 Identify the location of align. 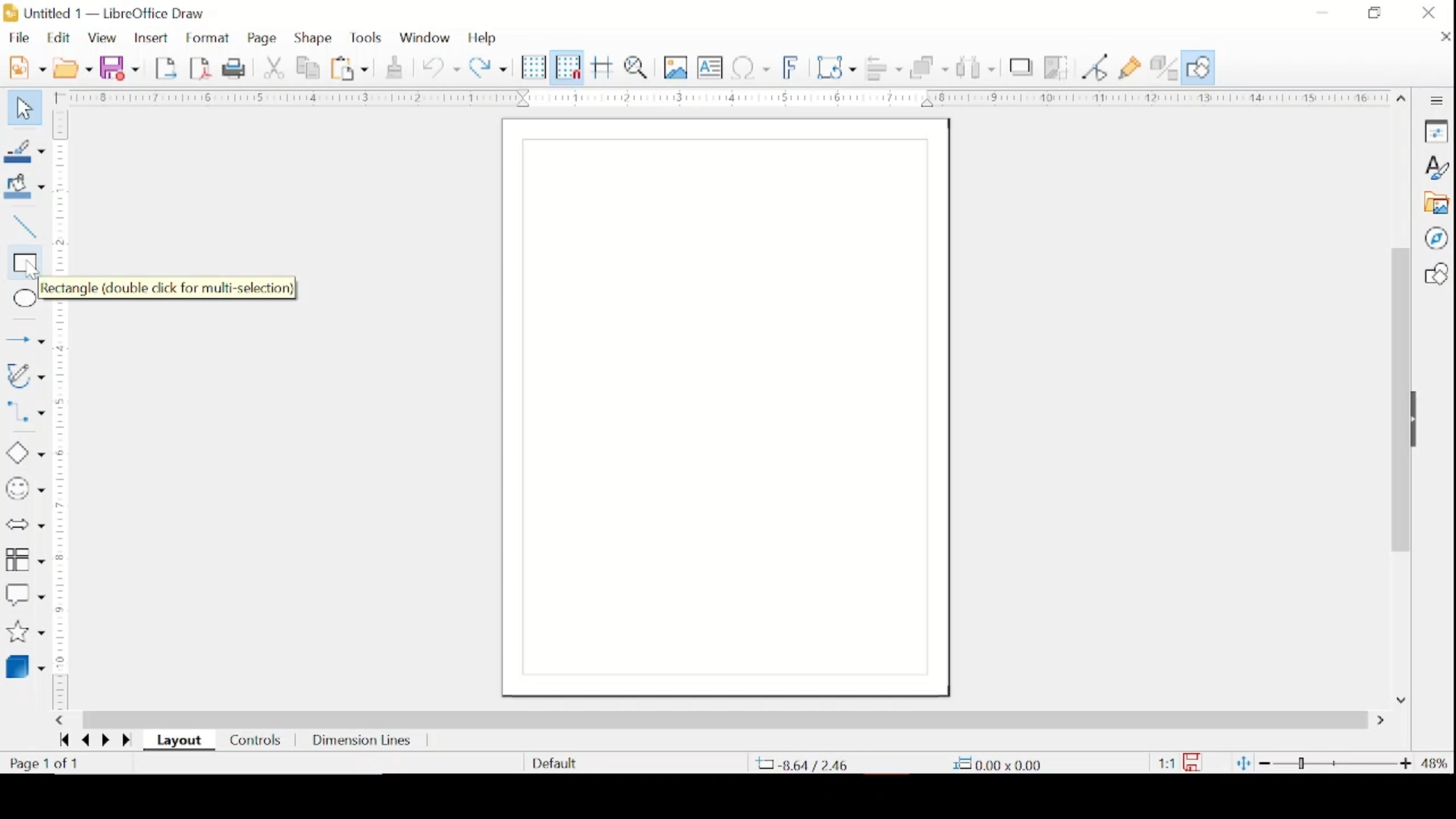
(883, 67).